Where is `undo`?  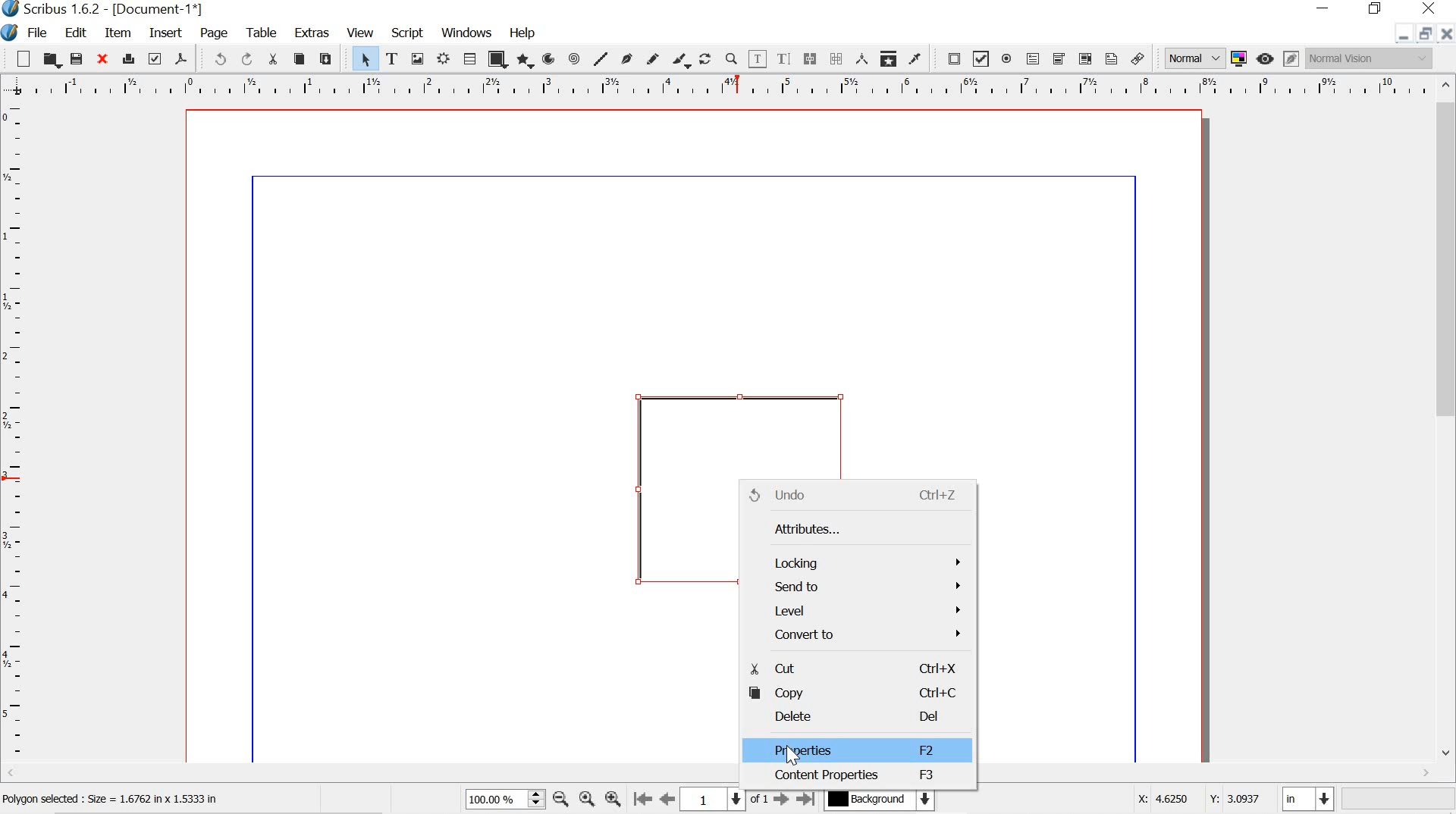 undo is located at coordinates (853, 496).